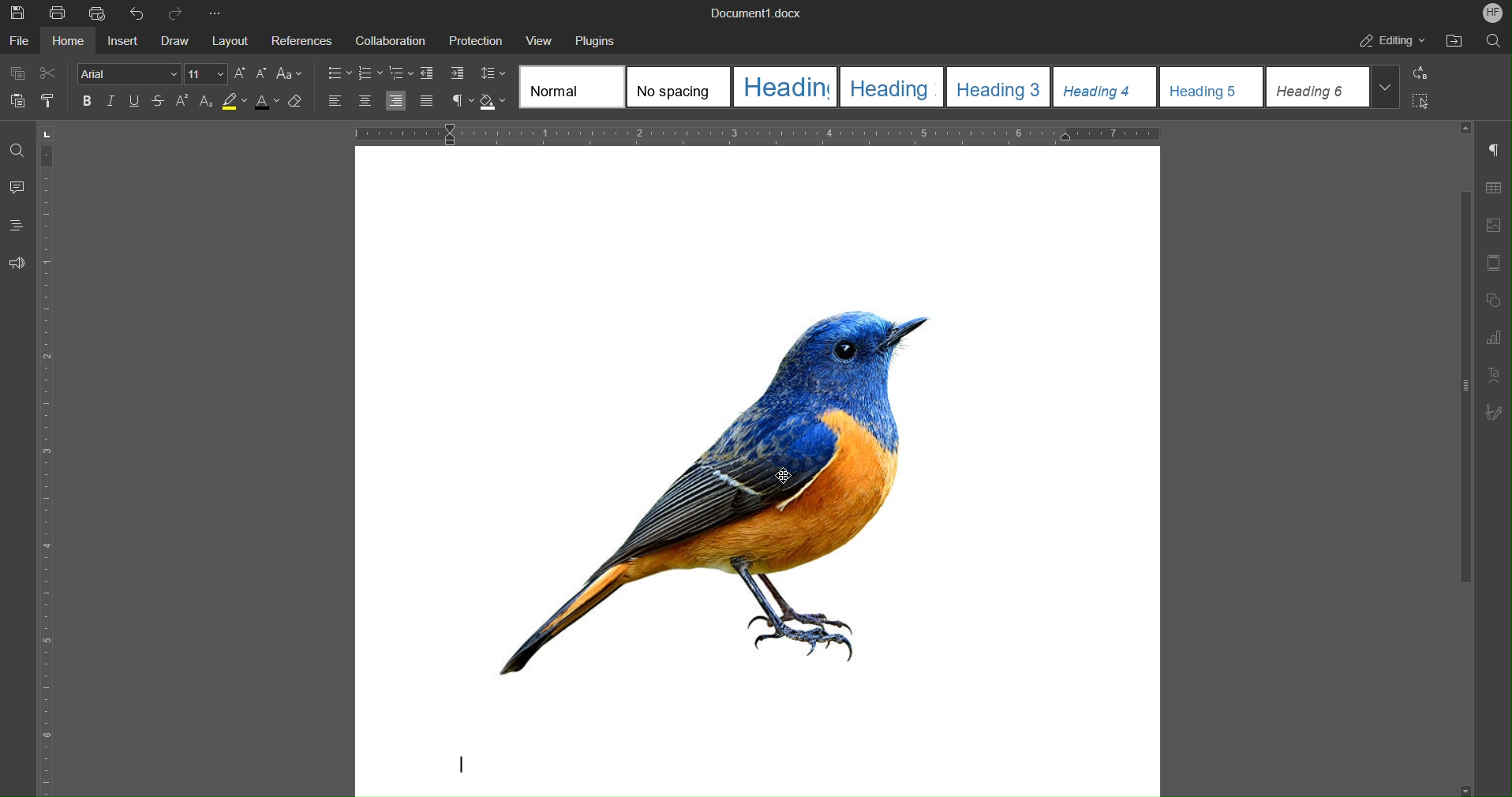 This screenshot has height=797, width=1512. Describe the element at coordinates (336, 102) in the screenshot. I see `Align Left` at that location.